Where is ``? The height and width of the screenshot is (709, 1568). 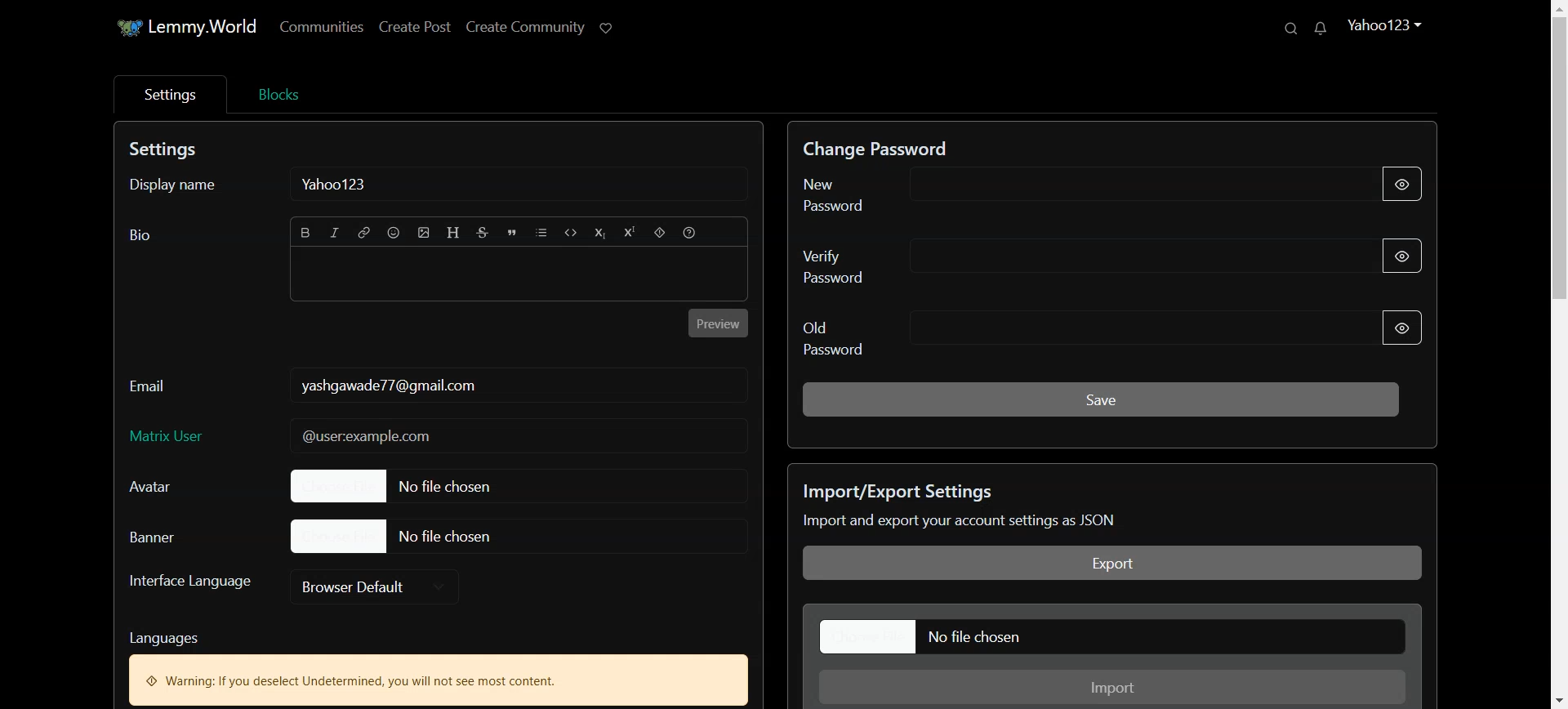  is located at coordinates (1330, 29).